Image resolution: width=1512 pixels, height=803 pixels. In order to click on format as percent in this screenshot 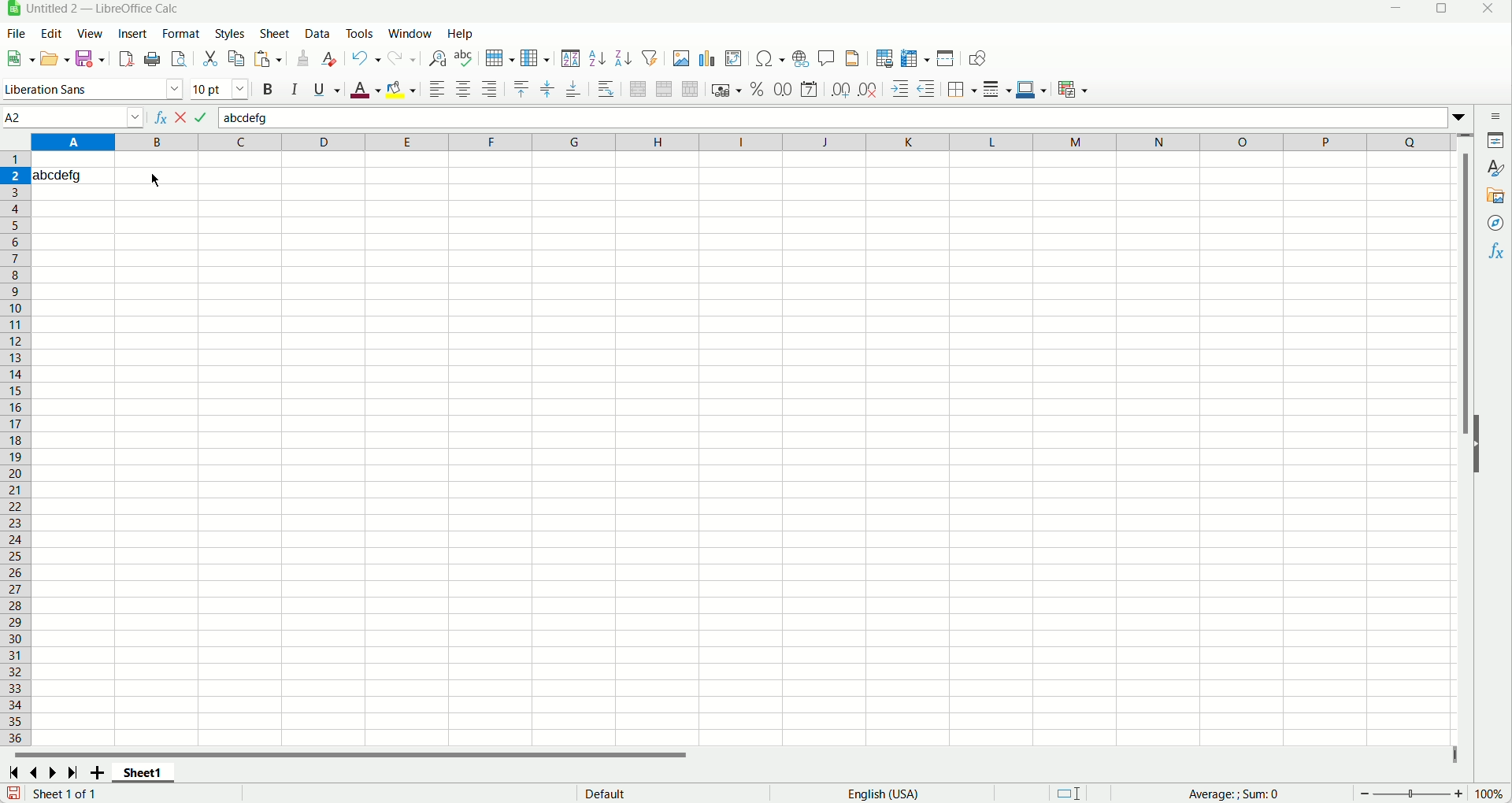, I will do `click(759, 90)`.